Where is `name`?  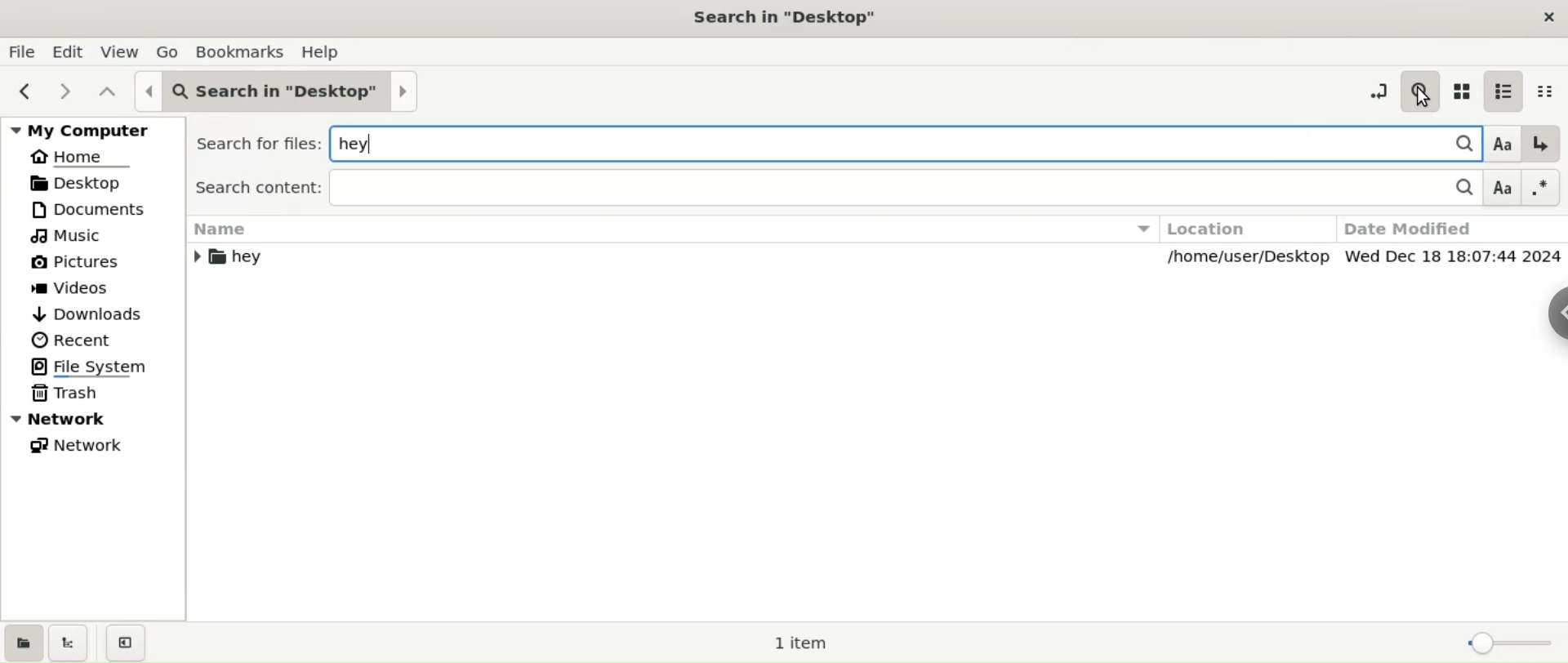 name is located at coordinates (669, 242).